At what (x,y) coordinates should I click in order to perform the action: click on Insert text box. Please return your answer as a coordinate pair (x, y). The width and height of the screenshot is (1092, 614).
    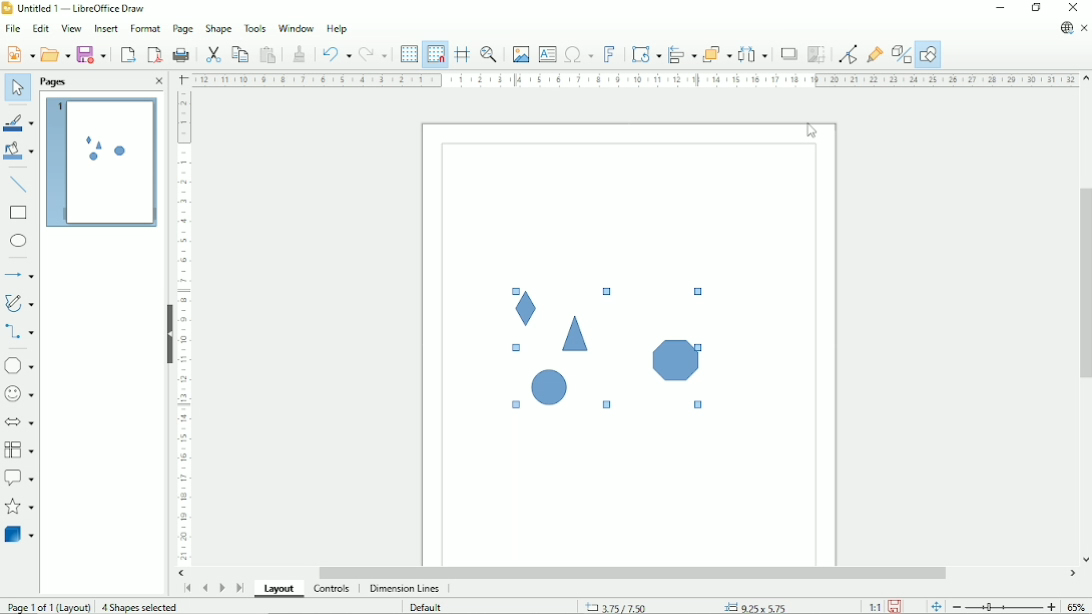
    Looking at the image, I should click on (547, 54).